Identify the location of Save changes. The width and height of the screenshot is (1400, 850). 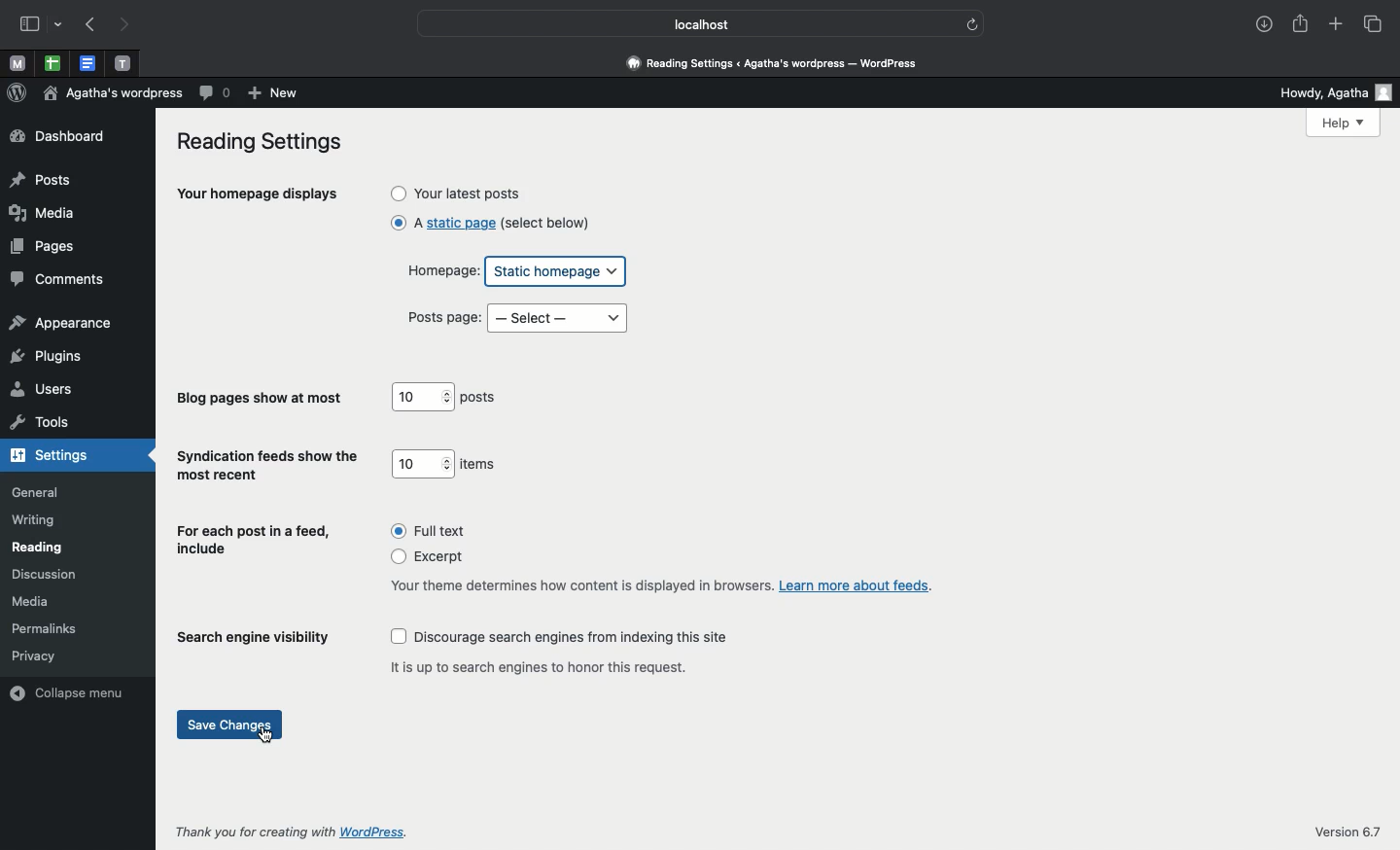
(229, 725).